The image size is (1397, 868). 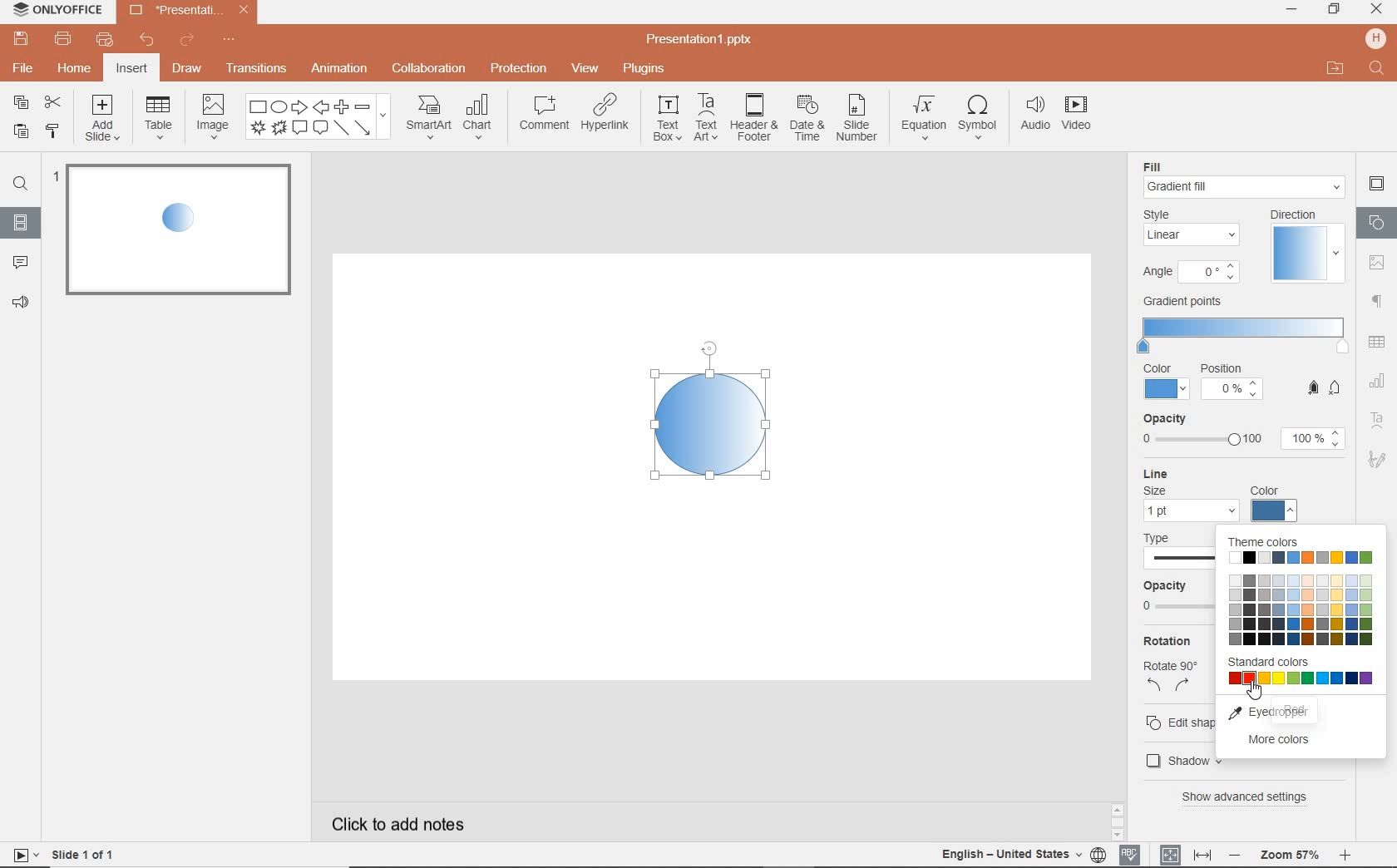 I want to click on feedback & support, so click(x=19, y=304).